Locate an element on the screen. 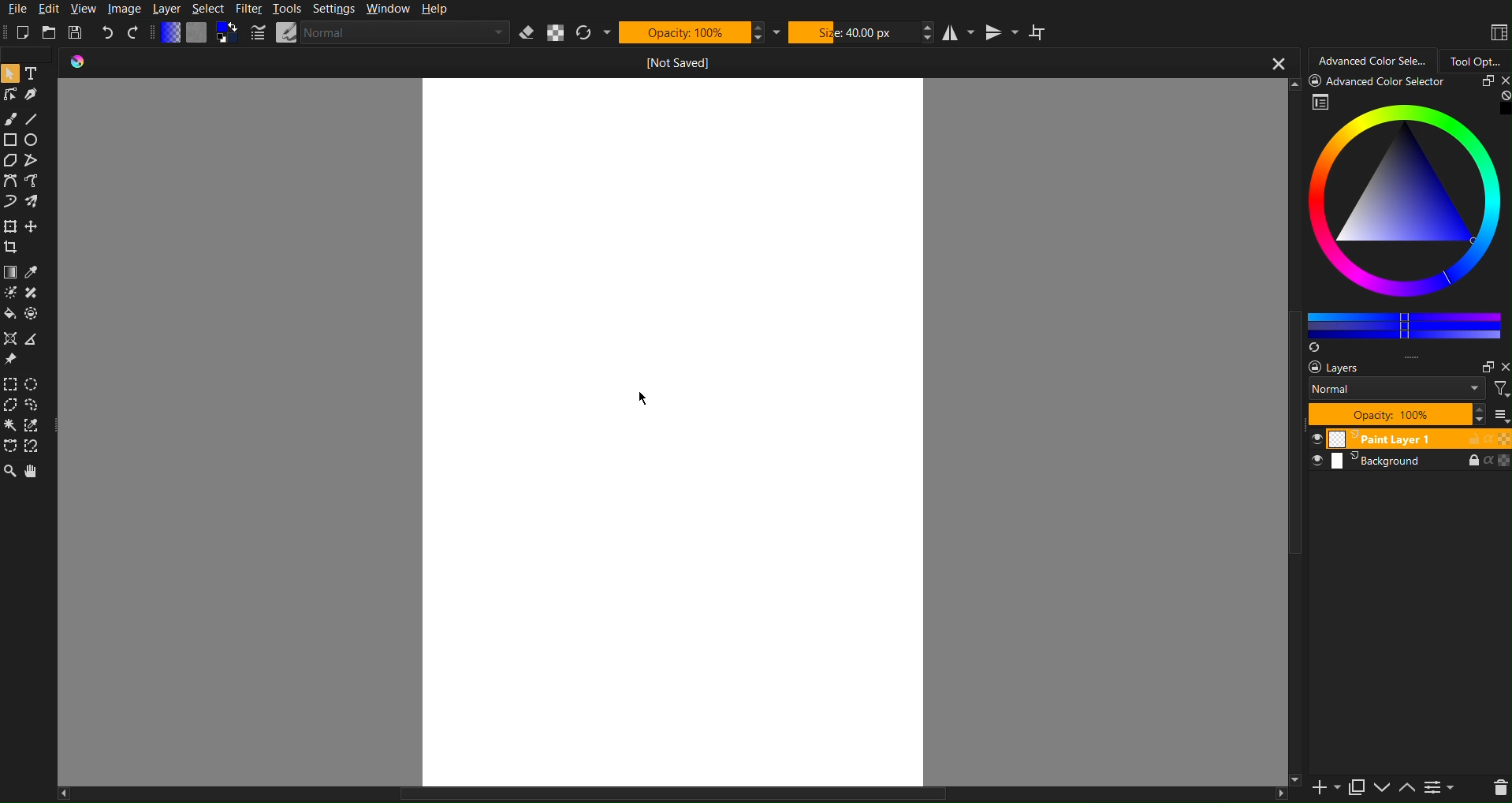  Line is located at coordinates (33, 115).